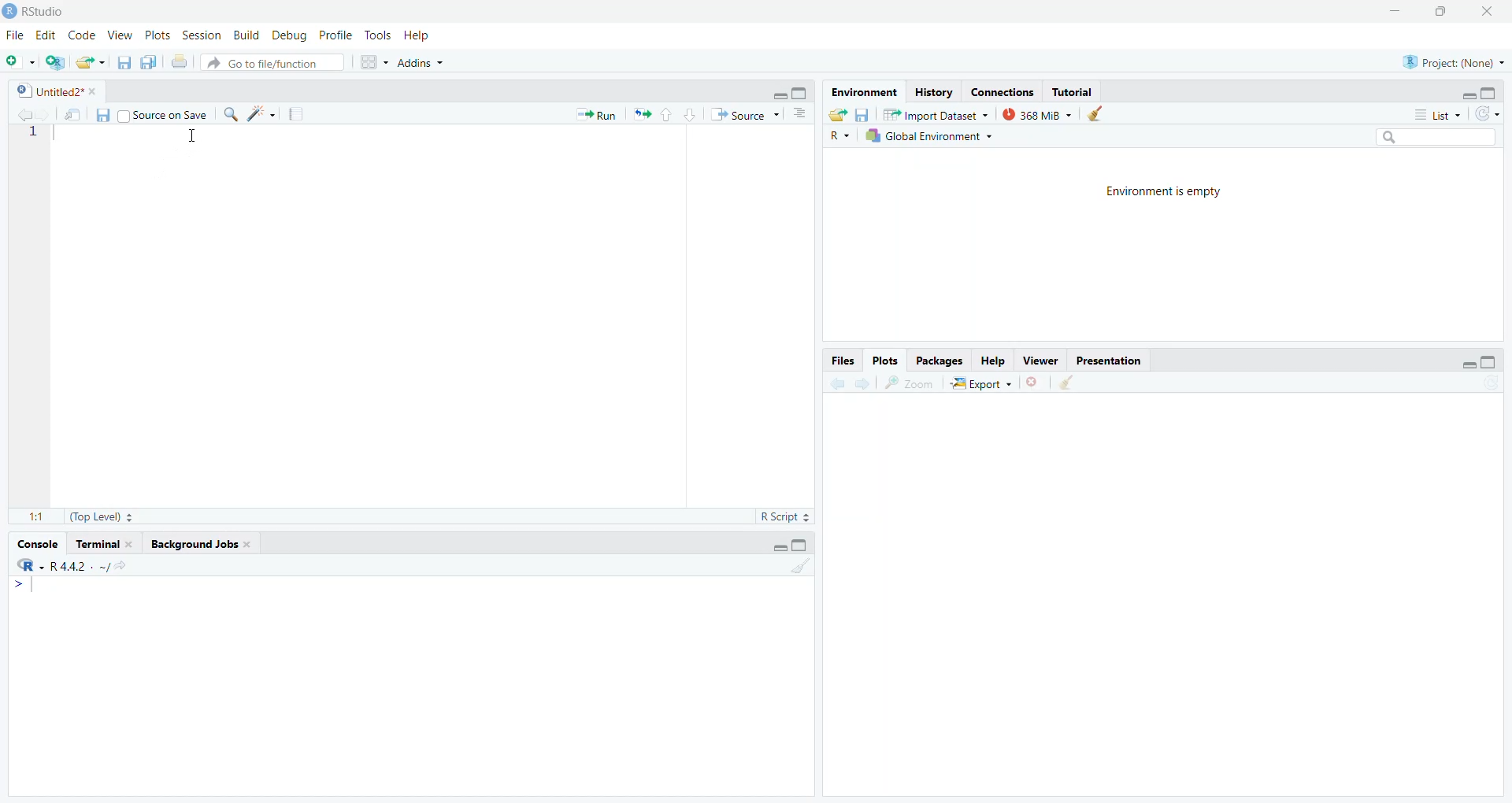 The image size is (1512, 803). What do you see at coordinates (1492, 13) in the screenshot?
I see `close` at bounding box center [1492, 13].